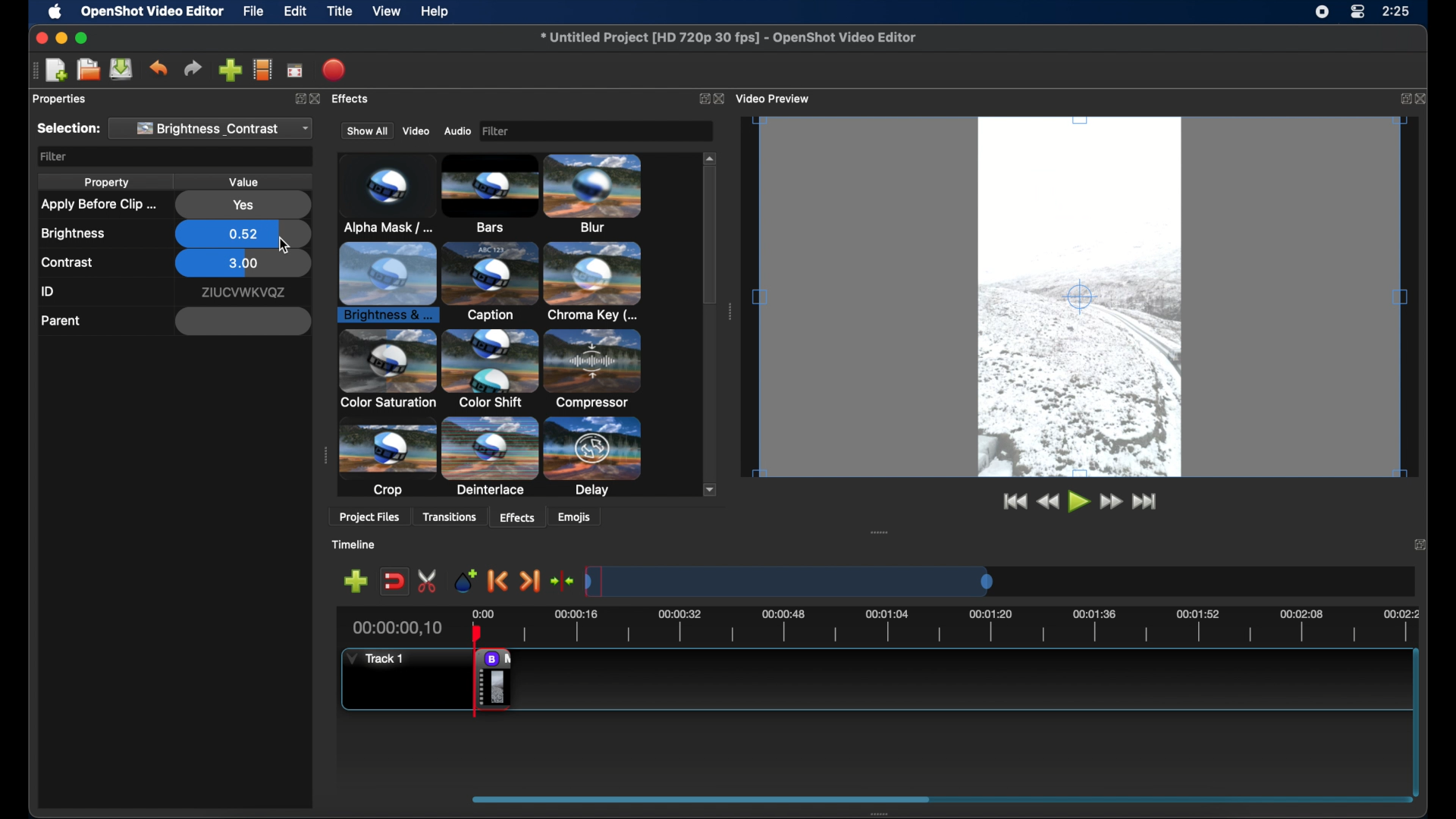 The image size is (1456, 819). I want to click on scroll box, so click(808, 798).